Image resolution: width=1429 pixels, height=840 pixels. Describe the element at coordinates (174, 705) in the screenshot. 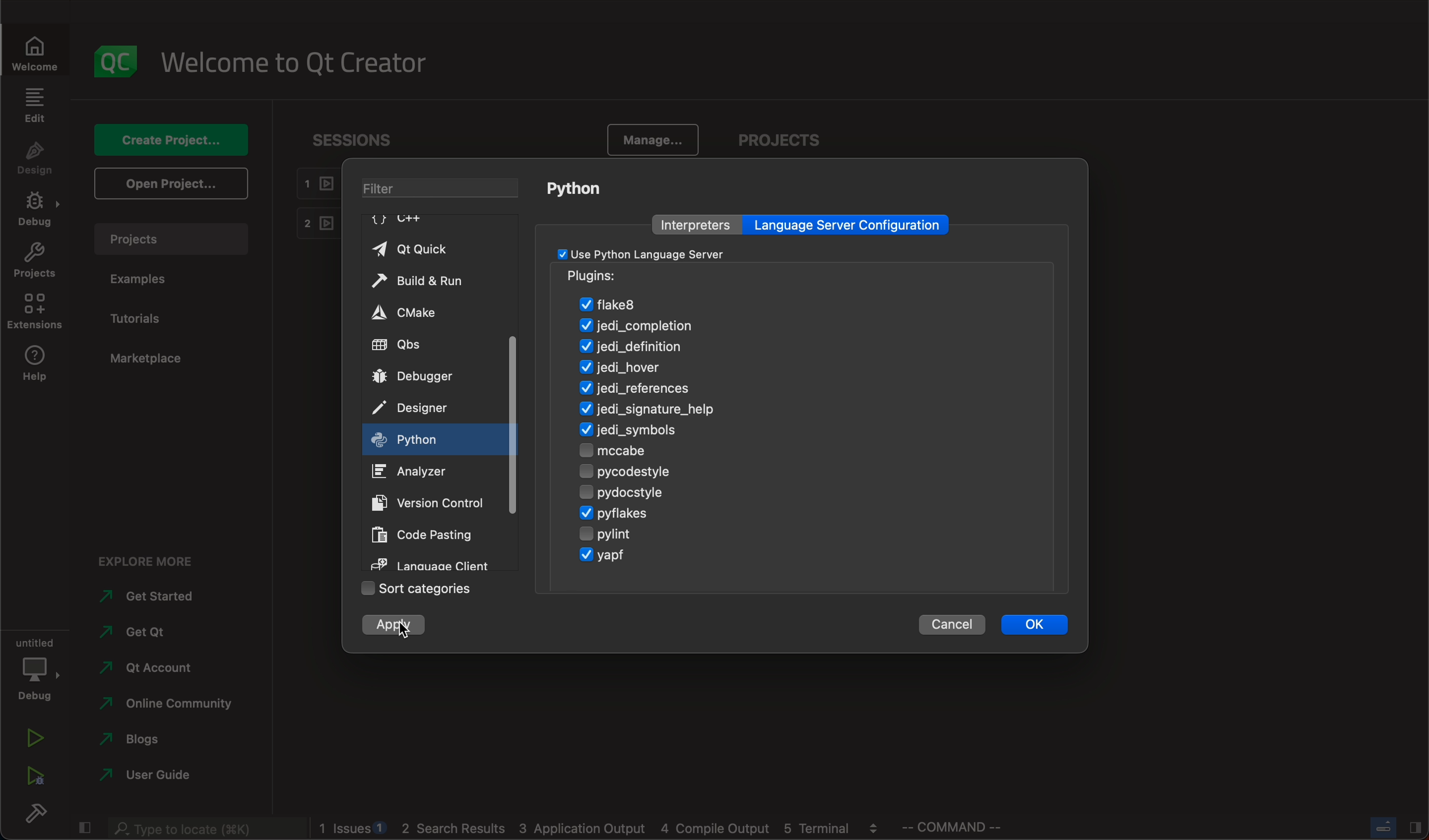

I see `community` at that location.